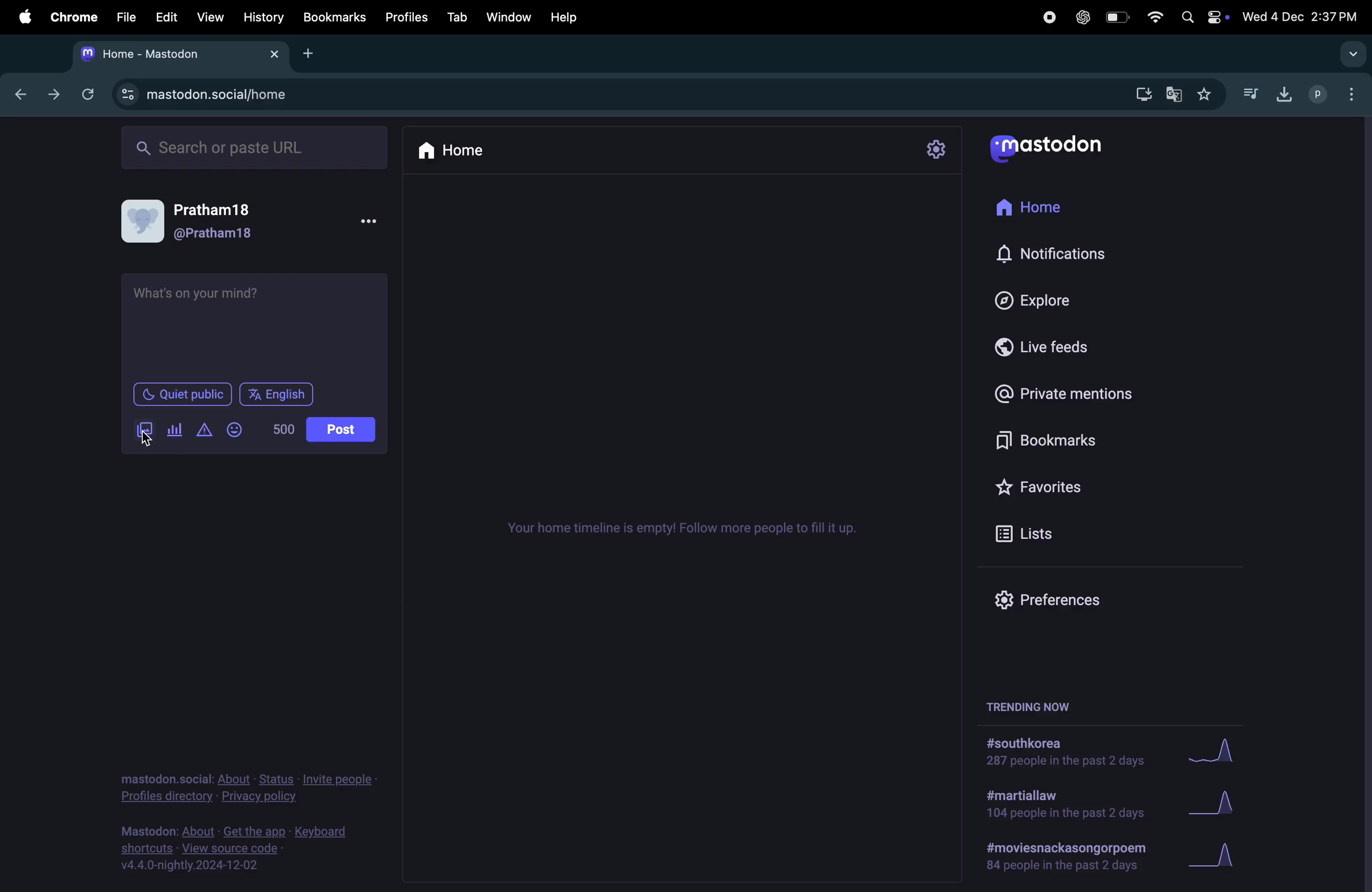 The height and width of the screenshot is (892, 1372). Describe the element at coordinates (209, 17) in the screenshot. I see `view` at that location.